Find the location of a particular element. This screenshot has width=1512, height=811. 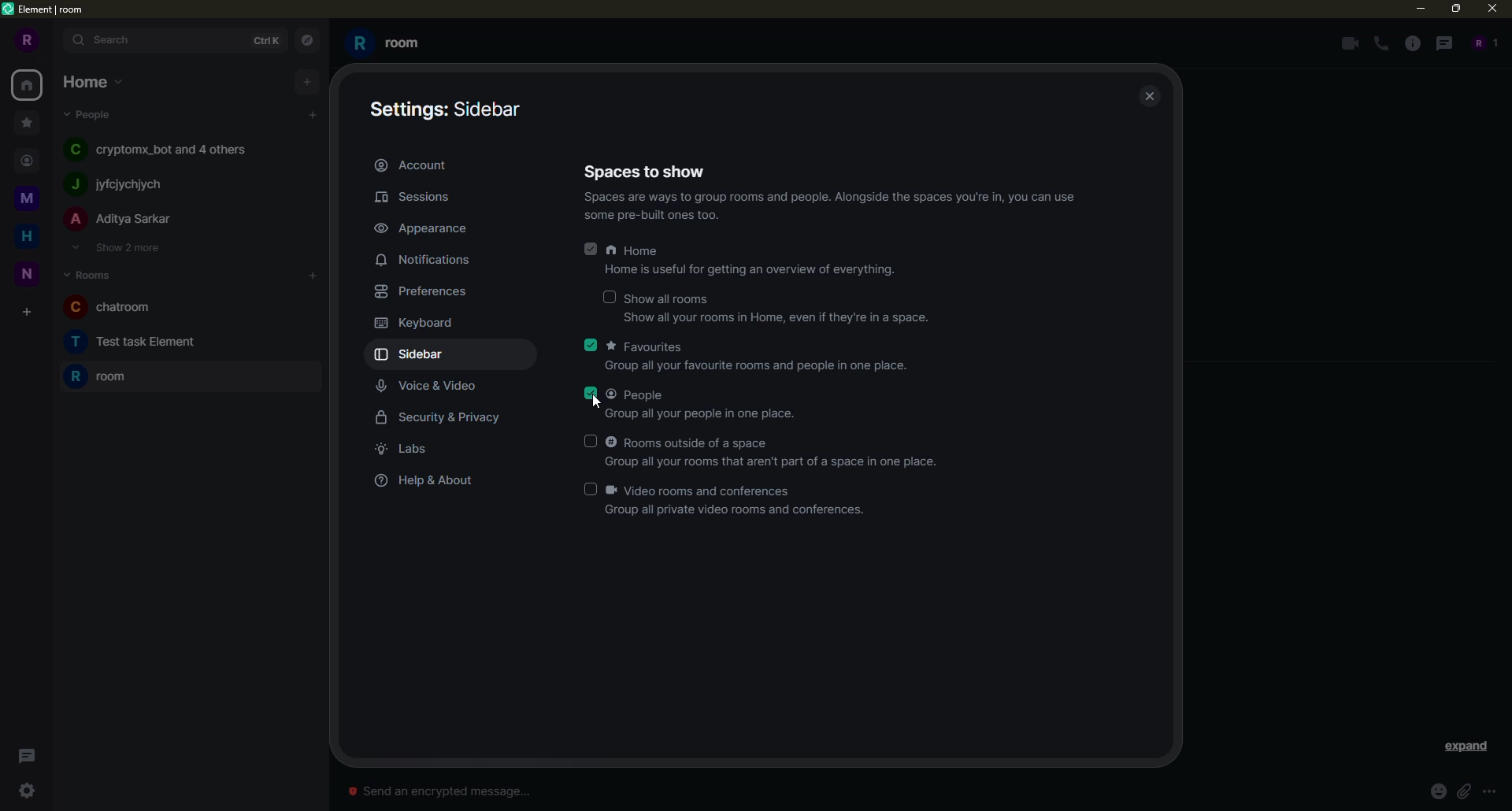

‘Show all your rooms in Home, even if they're in a space. is located at coordinates (760, 323).